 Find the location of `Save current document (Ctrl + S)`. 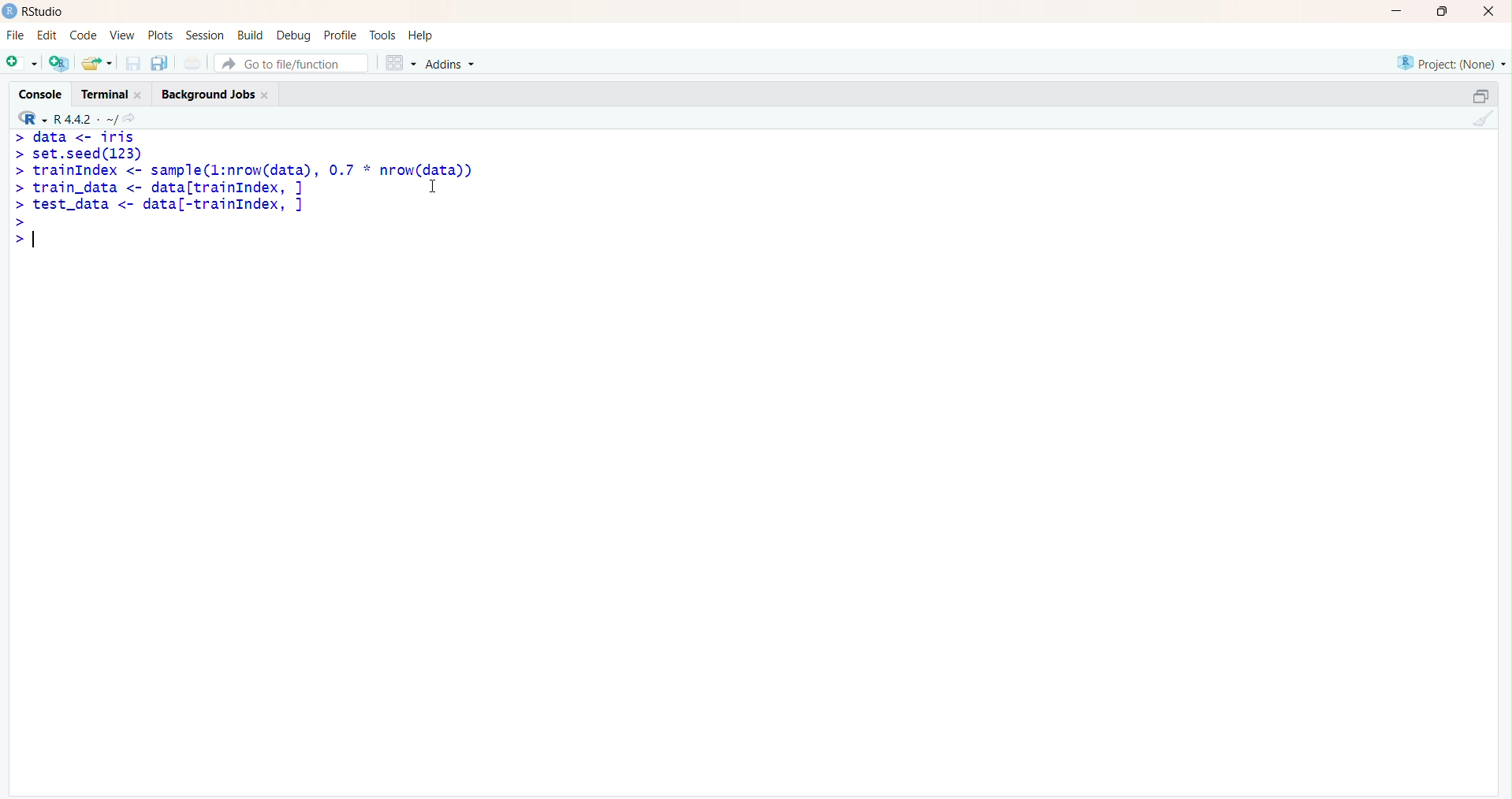

Save current document (Ctrl + S) is located at coordinates (132, 64).